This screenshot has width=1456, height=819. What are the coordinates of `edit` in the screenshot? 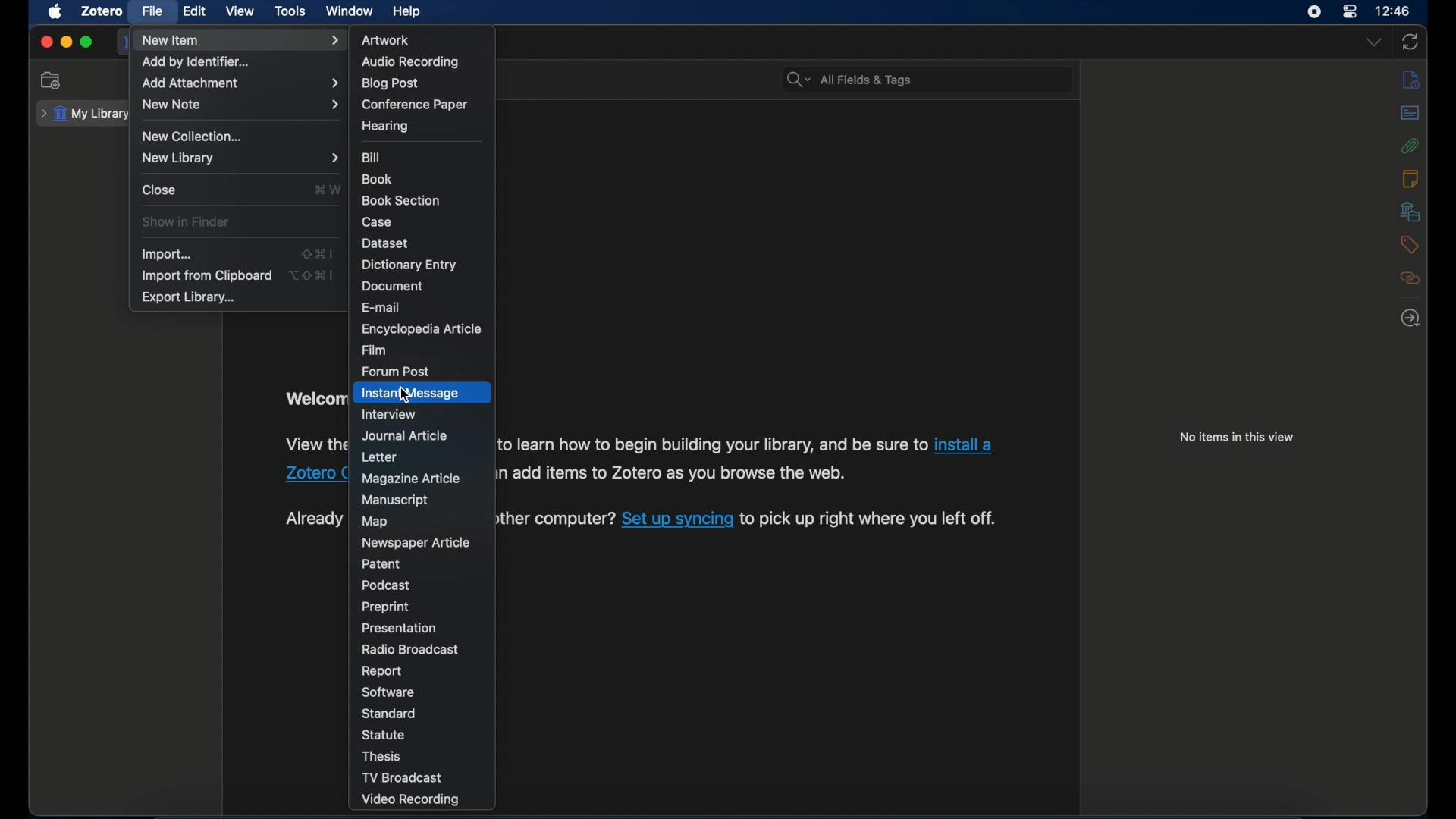 It's located at (196, 11).